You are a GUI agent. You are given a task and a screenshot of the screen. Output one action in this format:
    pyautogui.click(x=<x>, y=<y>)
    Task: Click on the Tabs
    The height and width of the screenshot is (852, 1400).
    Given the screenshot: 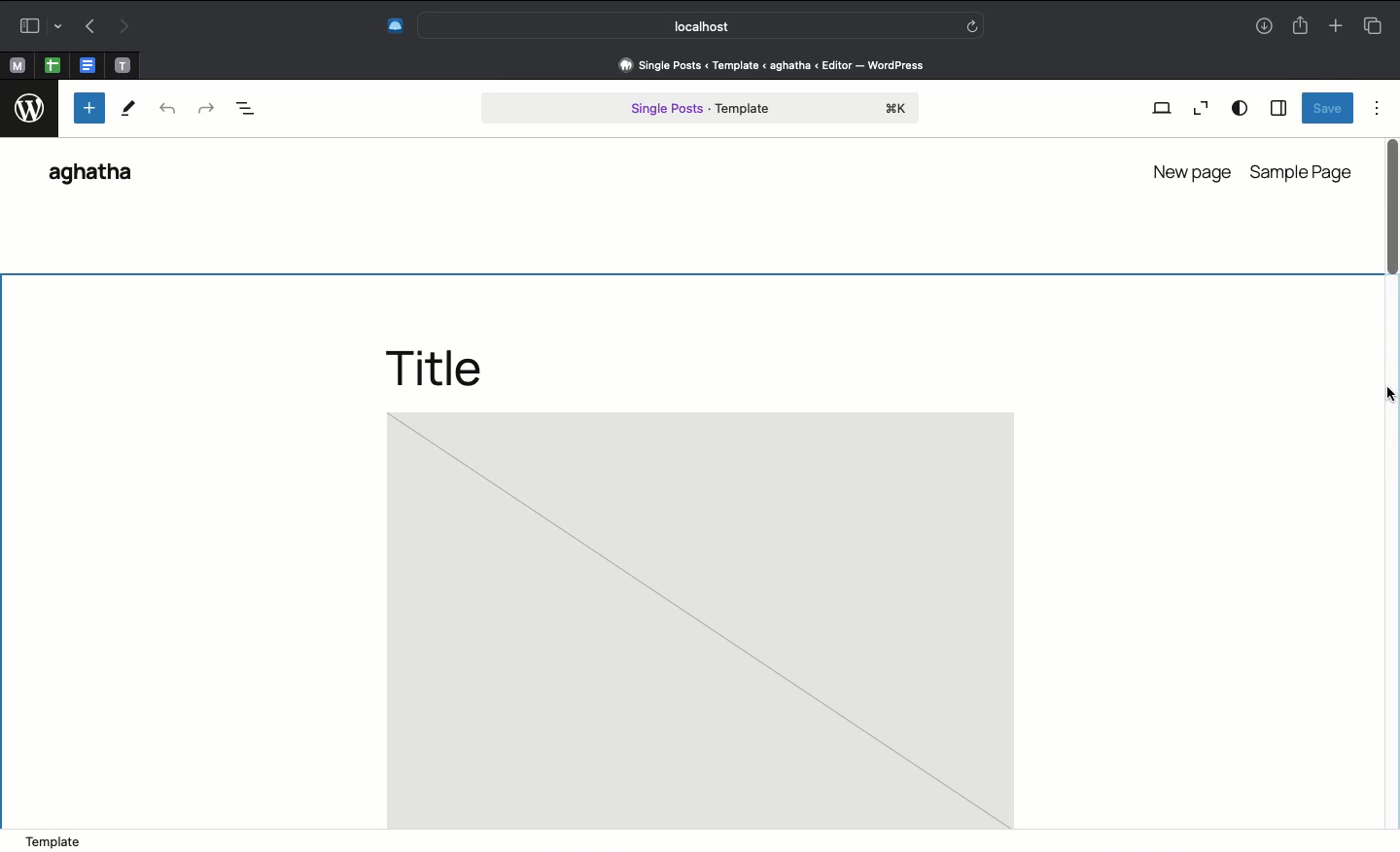 What is the action you would take?
    pyautogui.click(x=1372, y=25)
    